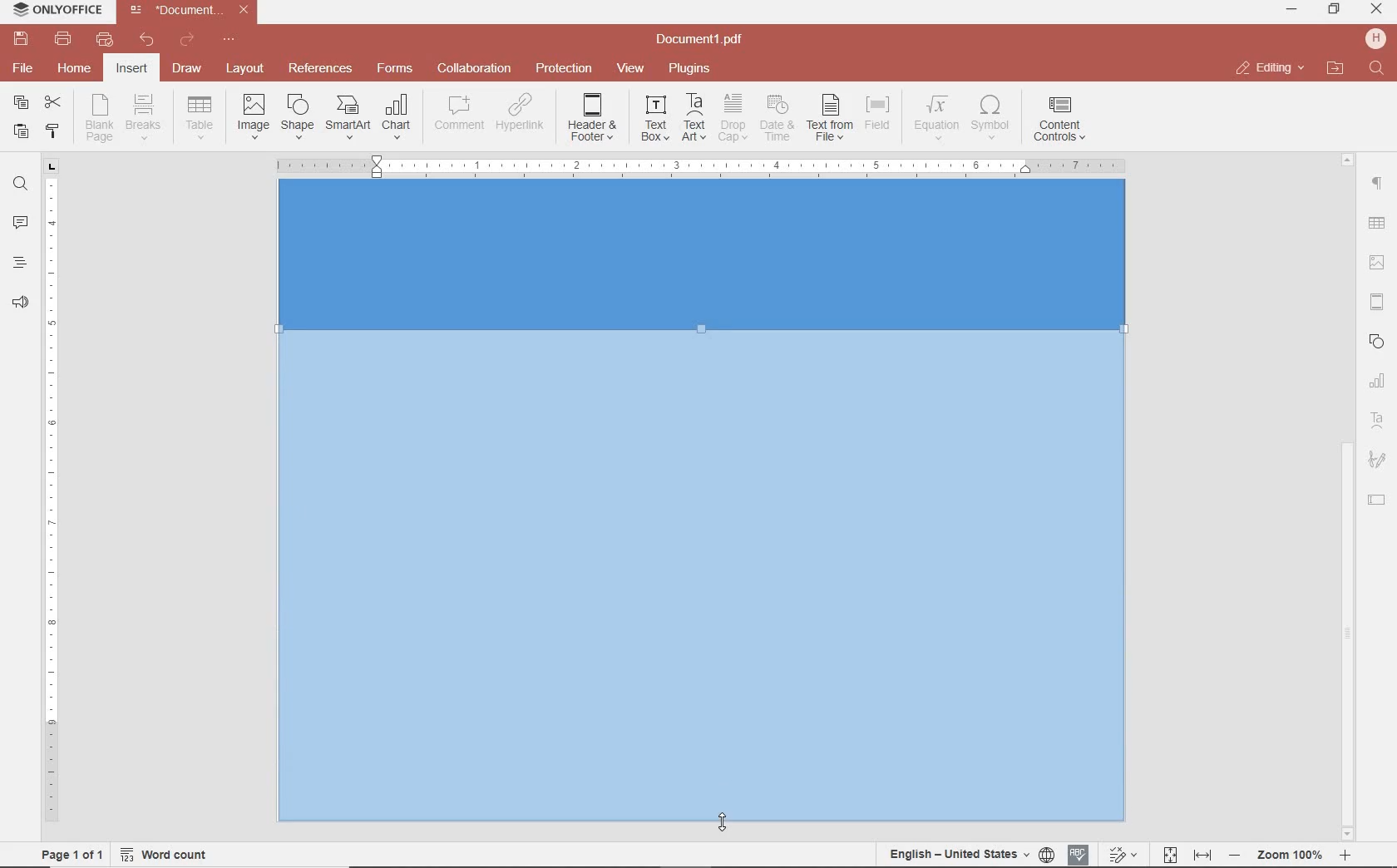  Describe the element at coordinates (594, 118) in the screenshot. I see `EDIT HEADER OR FOOTER` at that location.